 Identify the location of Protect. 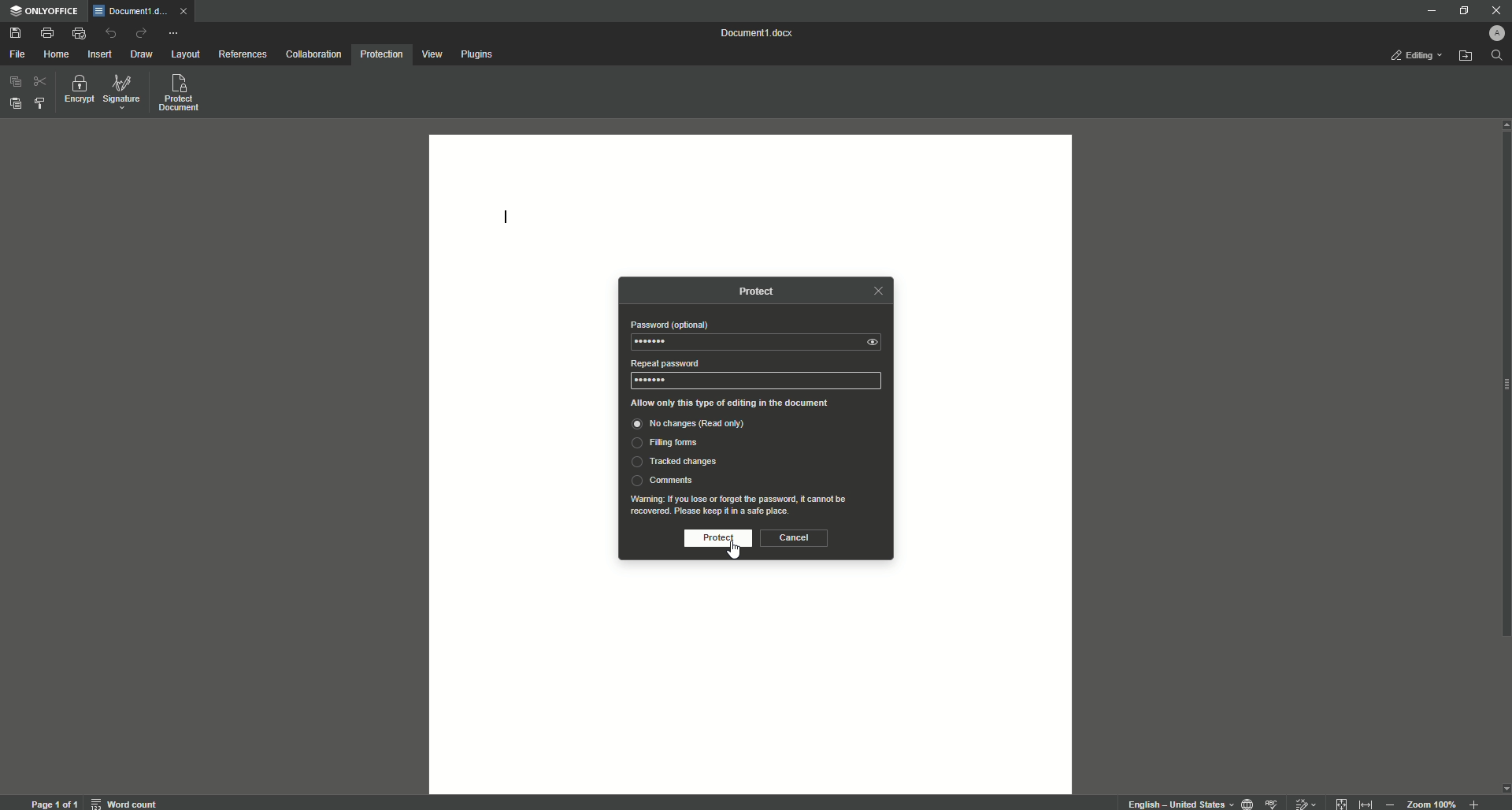
(763, 292).